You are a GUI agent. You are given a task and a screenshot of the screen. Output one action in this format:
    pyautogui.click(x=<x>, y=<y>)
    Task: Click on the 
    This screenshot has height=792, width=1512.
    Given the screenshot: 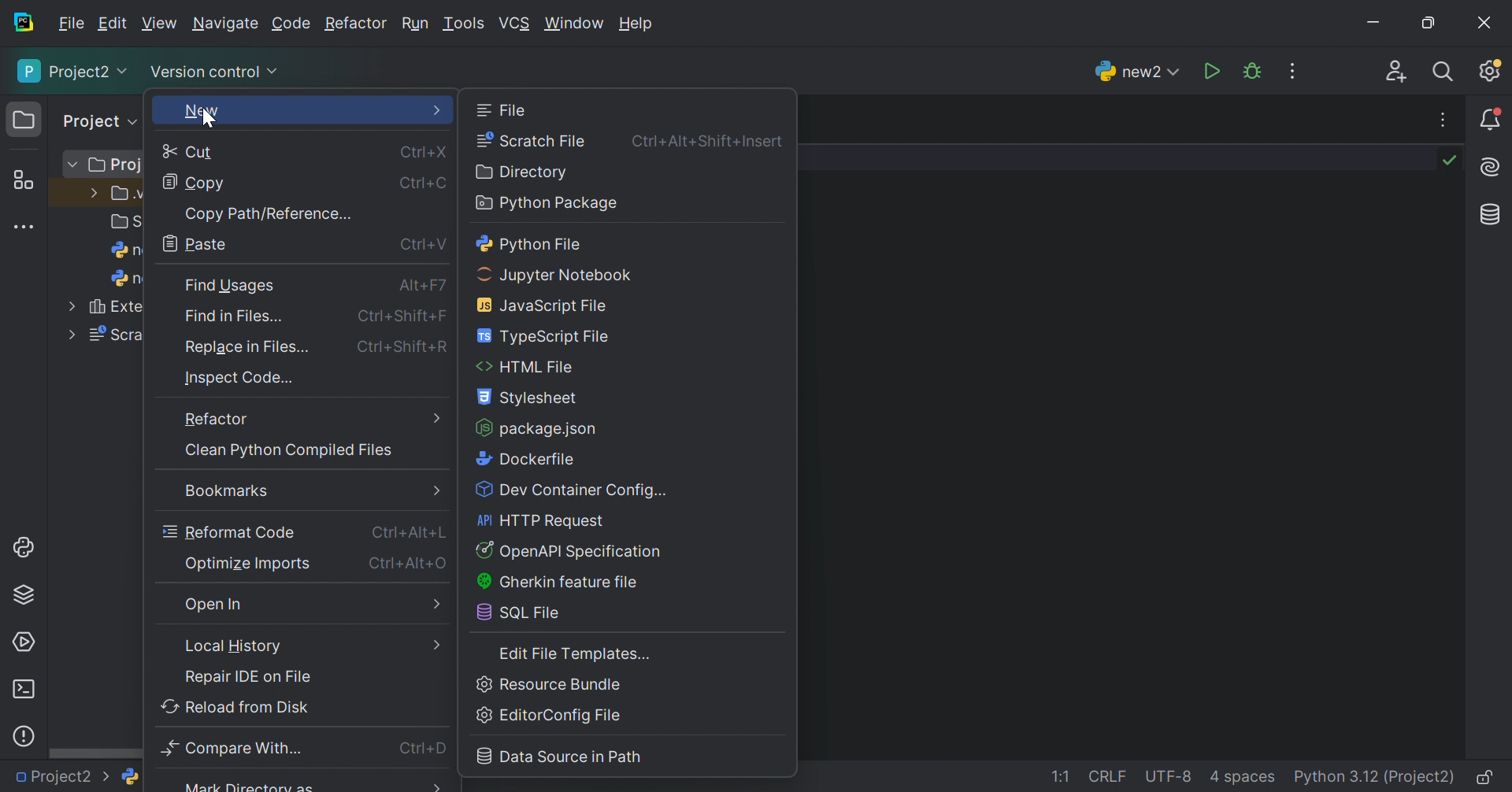 What is the action you would take?
    pyautogui.click(x=572, y=489)
    